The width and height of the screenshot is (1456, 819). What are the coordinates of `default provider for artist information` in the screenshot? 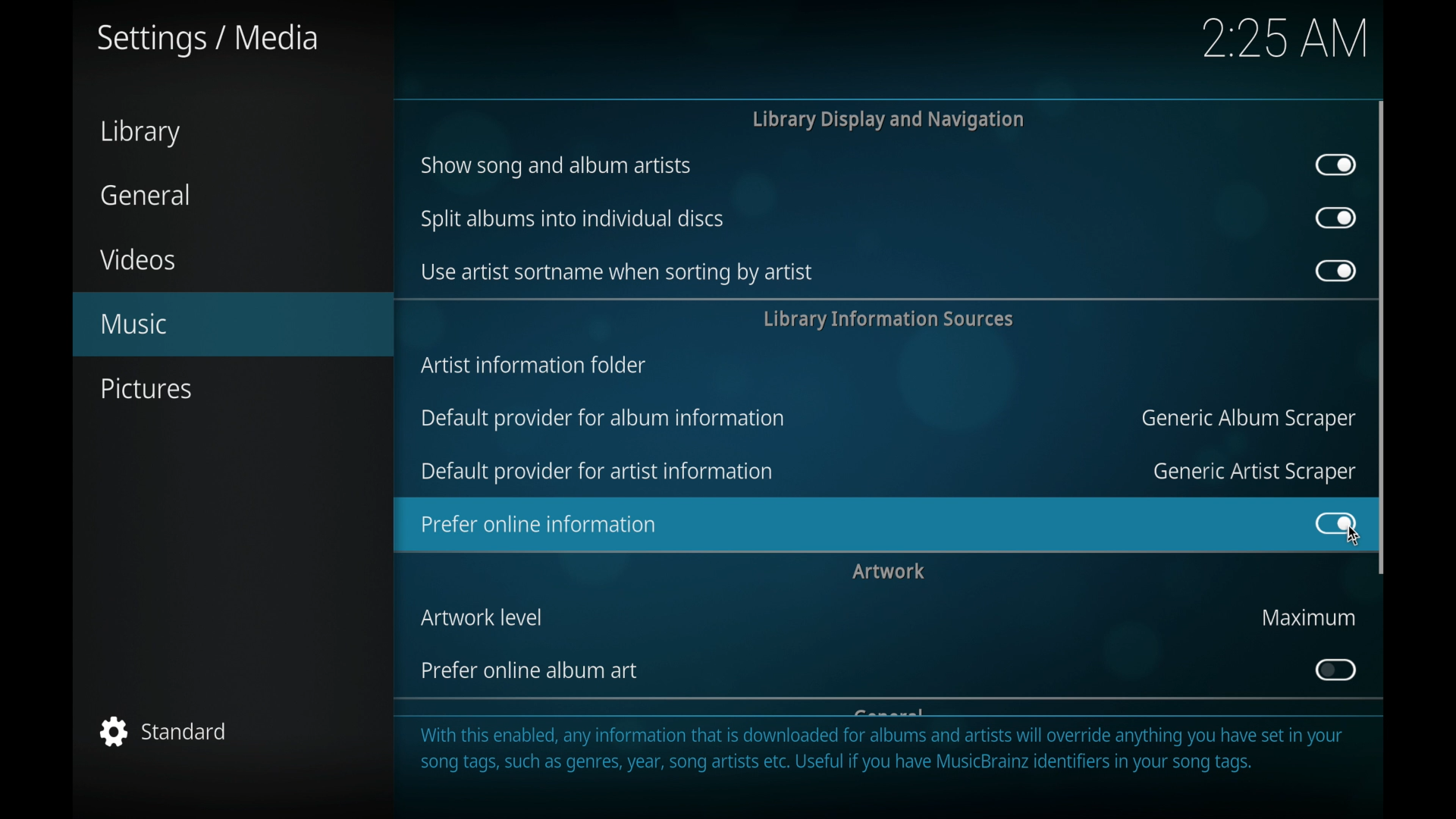 It's located at (598, 472).